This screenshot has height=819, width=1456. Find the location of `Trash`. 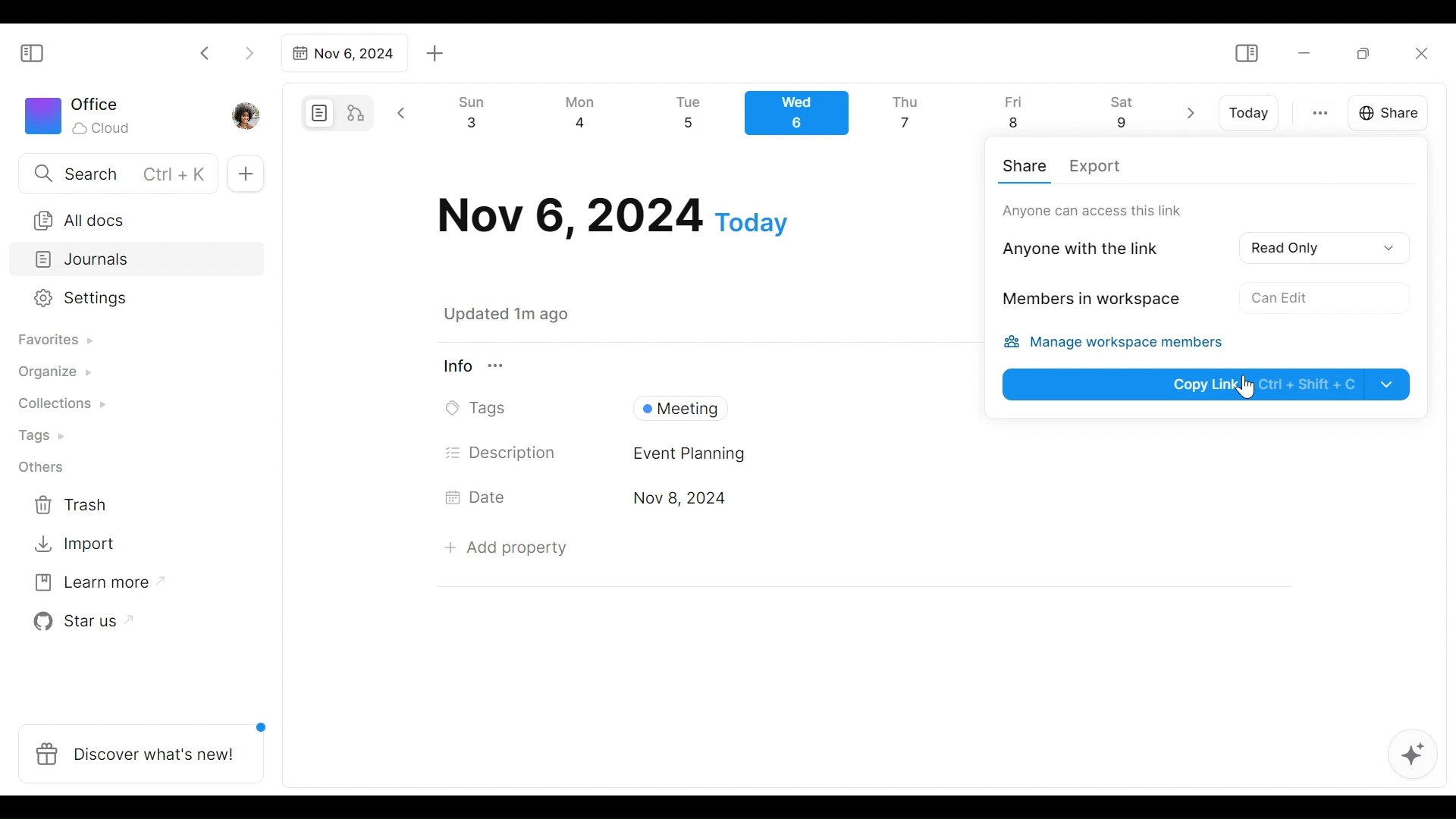

Trash is located at coordinates (72, 505).